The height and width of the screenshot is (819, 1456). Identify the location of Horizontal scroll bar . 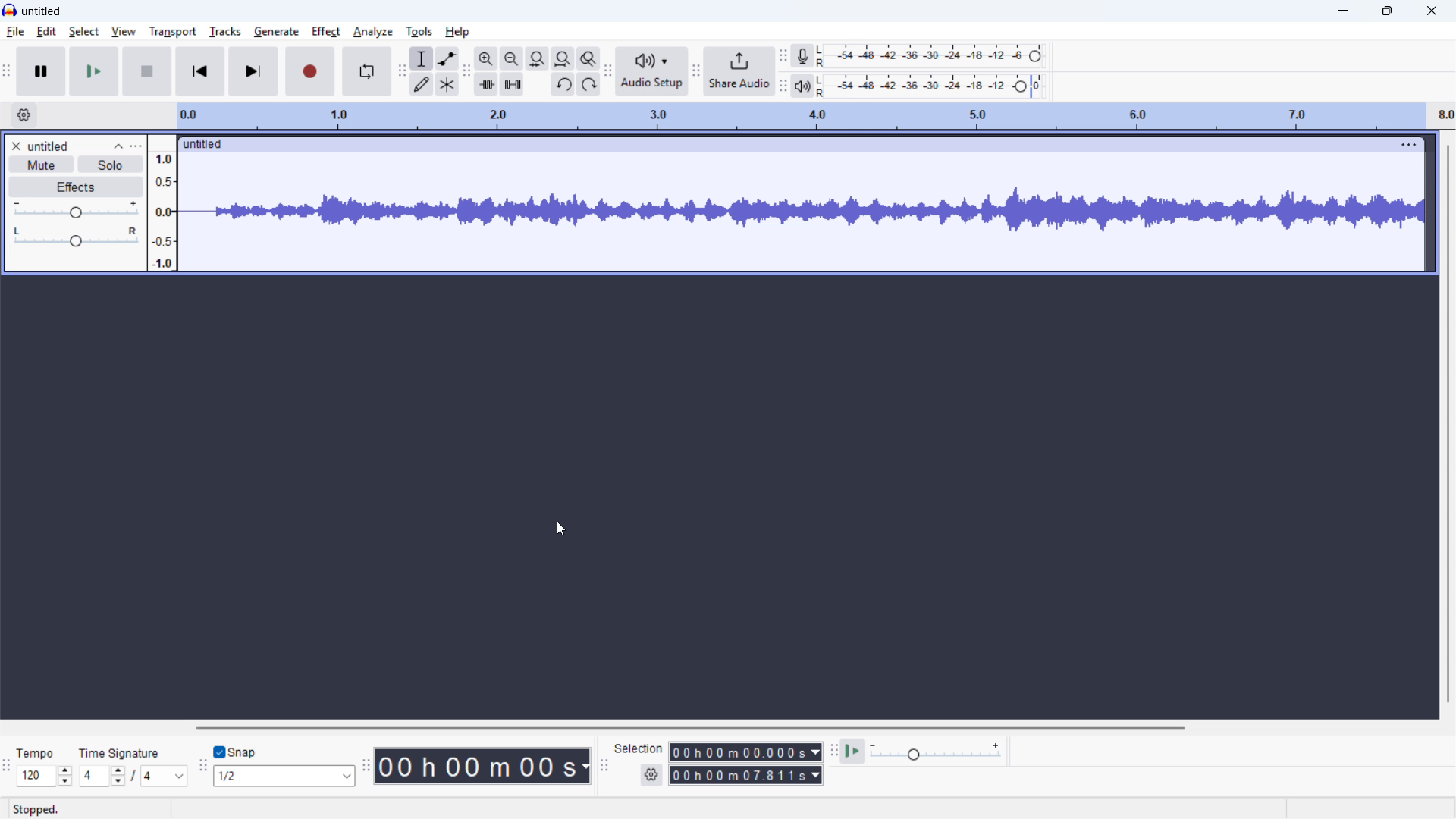
(687, 728).